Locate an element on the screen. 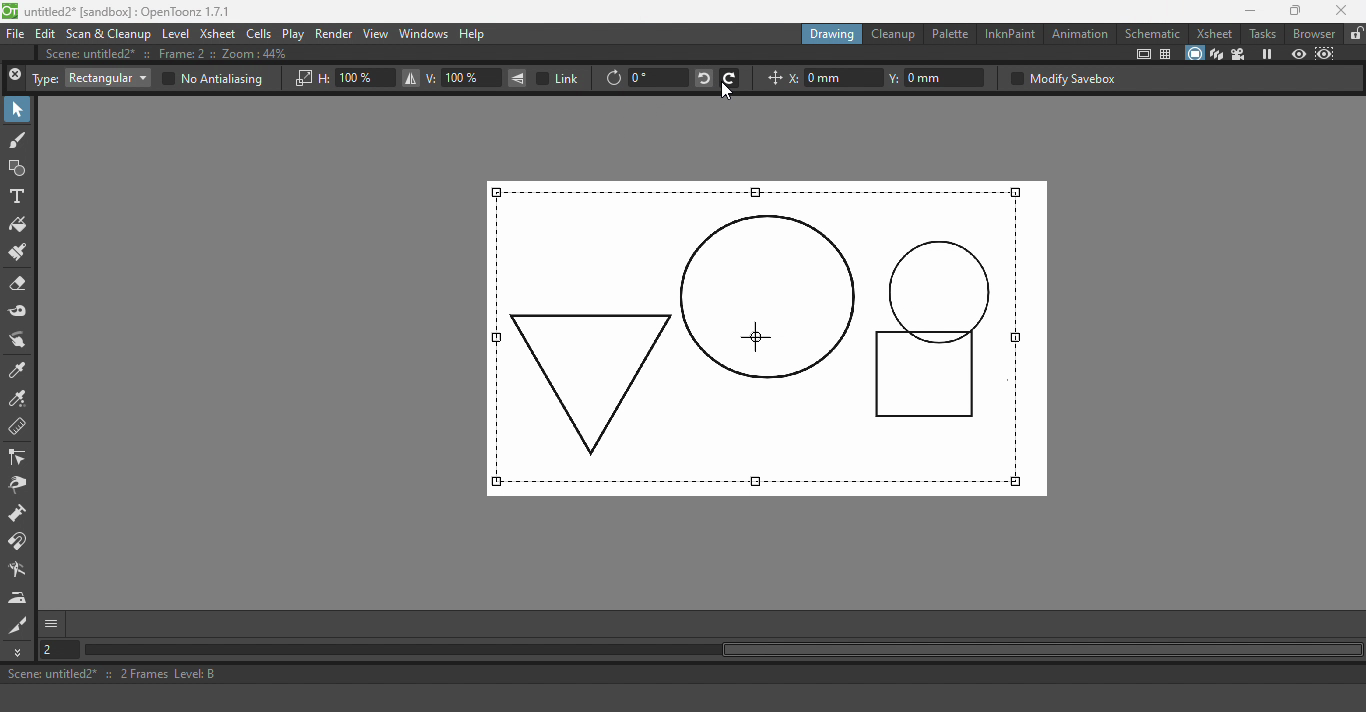 Image resolution: width=1366 pixels, height=712 pixels. Flip selection vertically is located at coordinates (518, 78).